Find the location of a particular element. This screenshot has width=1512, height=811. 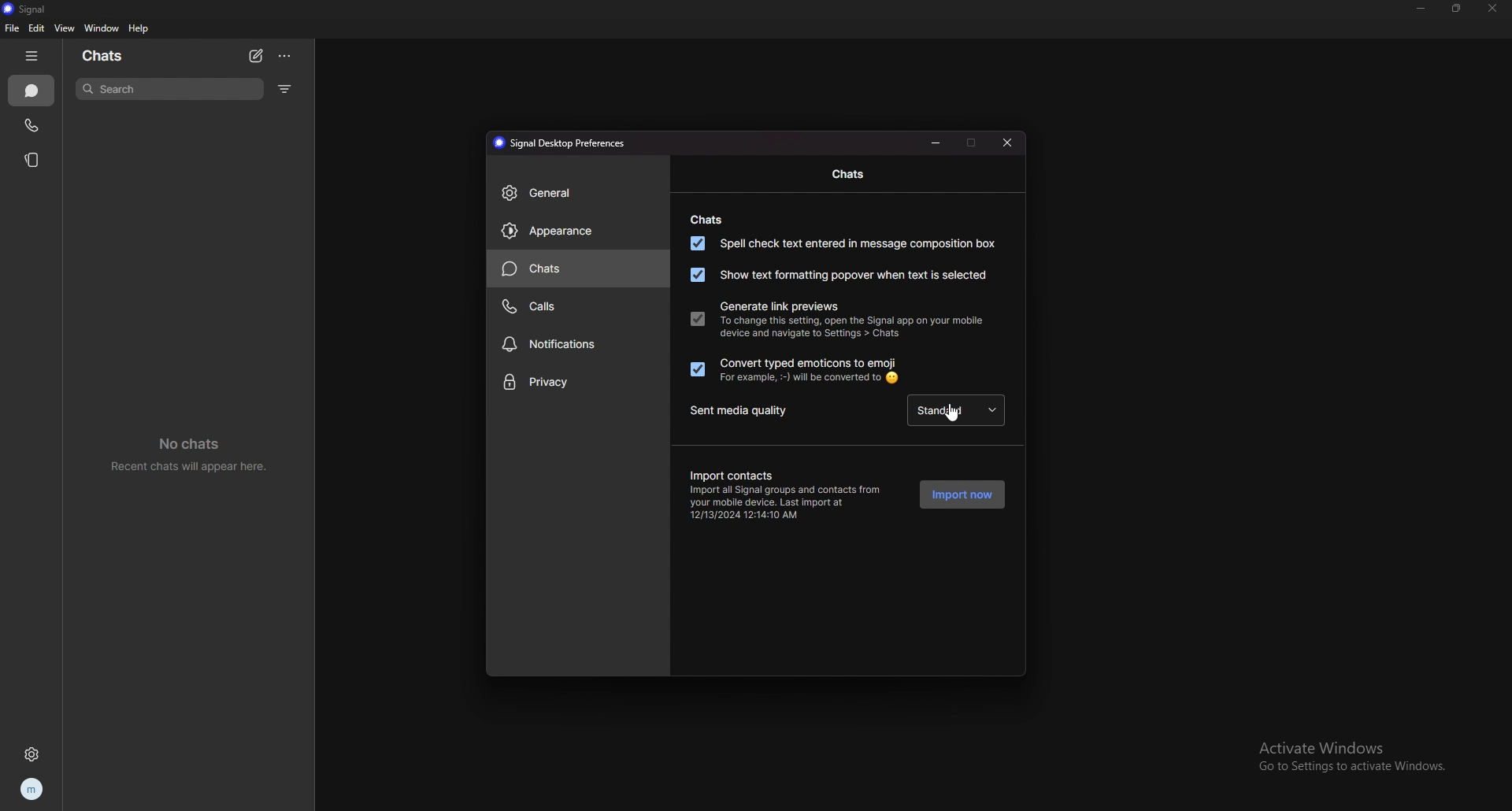

generate link previews is located at coordinates (697, 317).